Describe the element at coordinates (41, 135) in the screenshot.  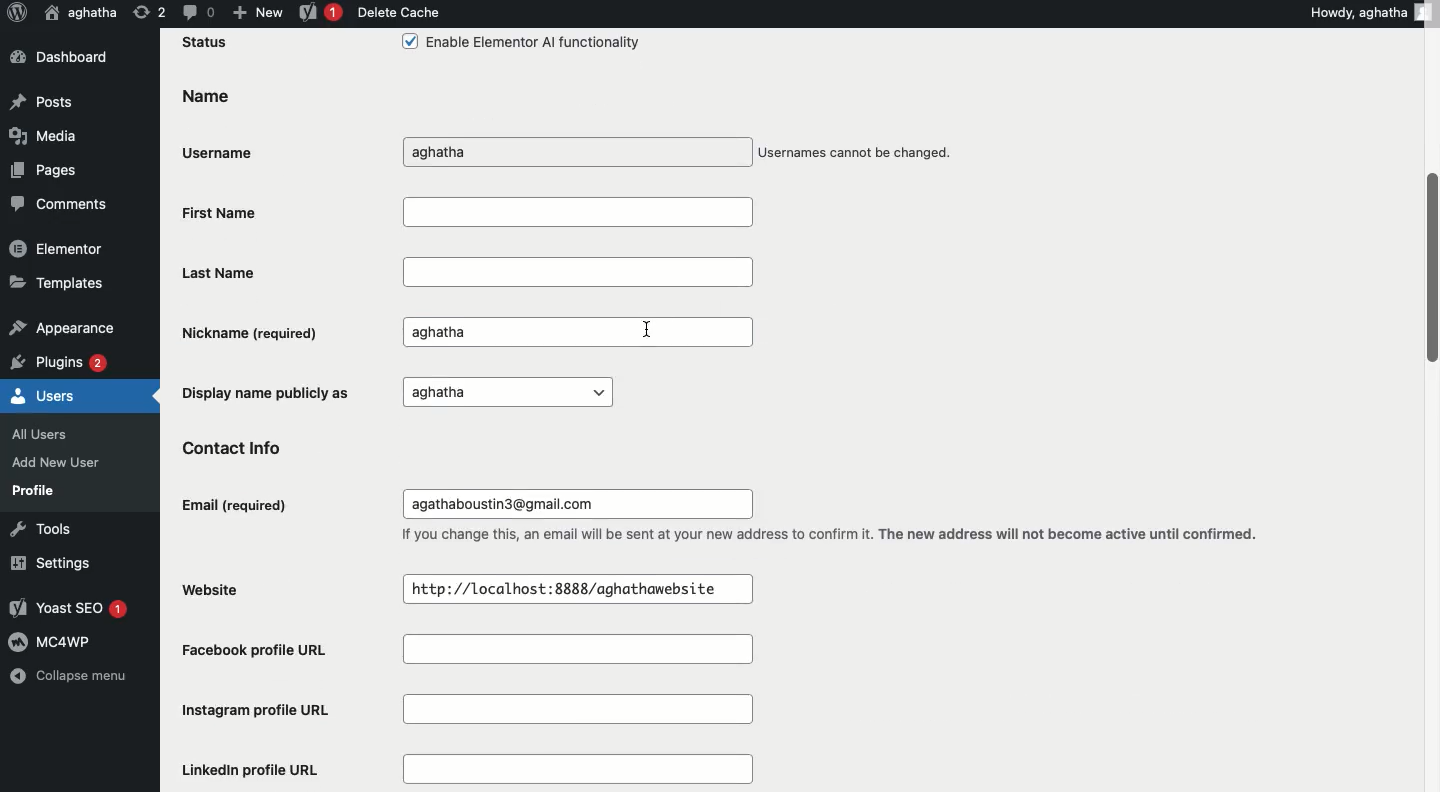
I see `Media` at that location.